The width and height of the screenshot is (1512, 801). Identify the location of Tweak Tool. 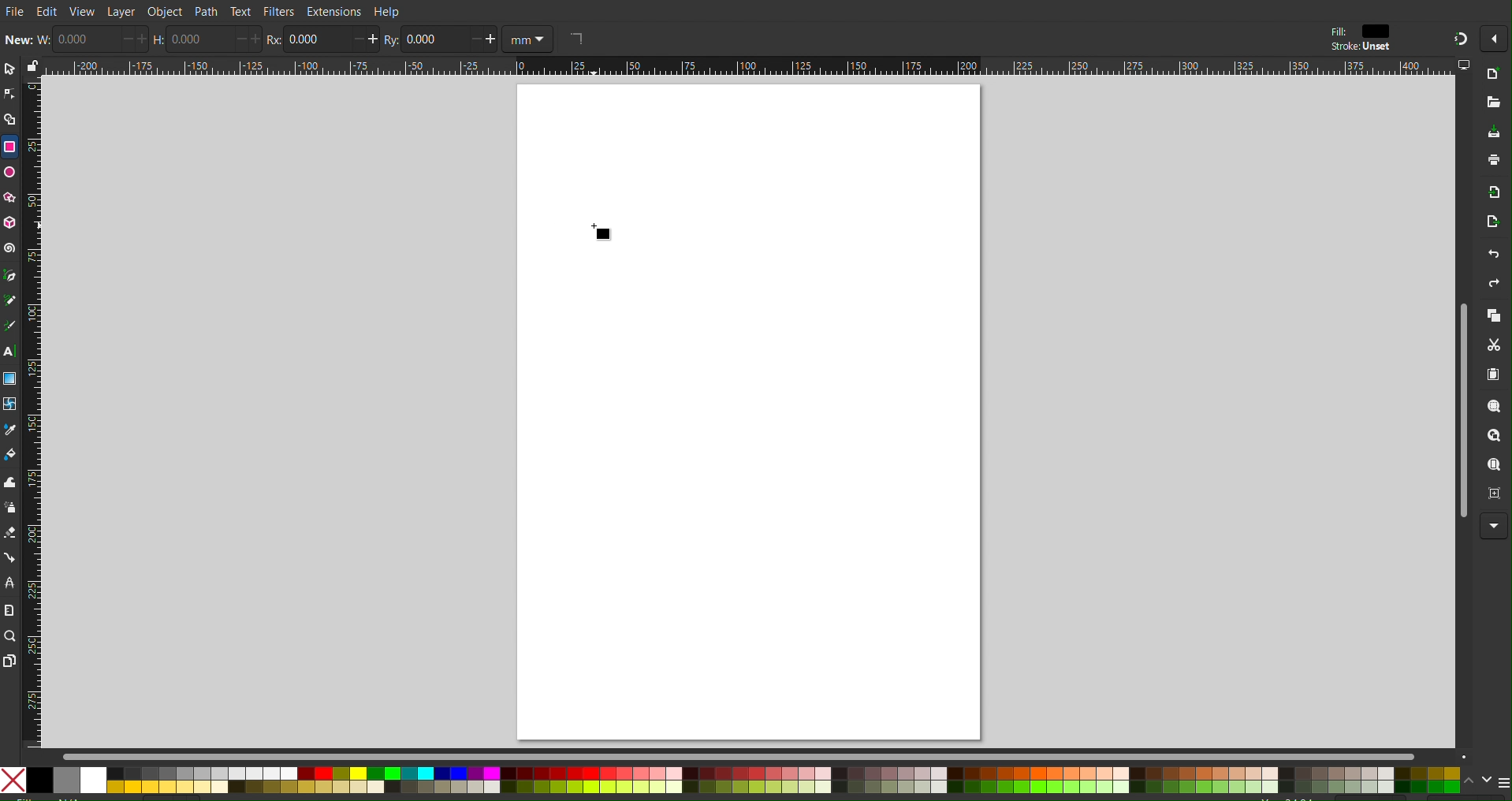
(9, 485).